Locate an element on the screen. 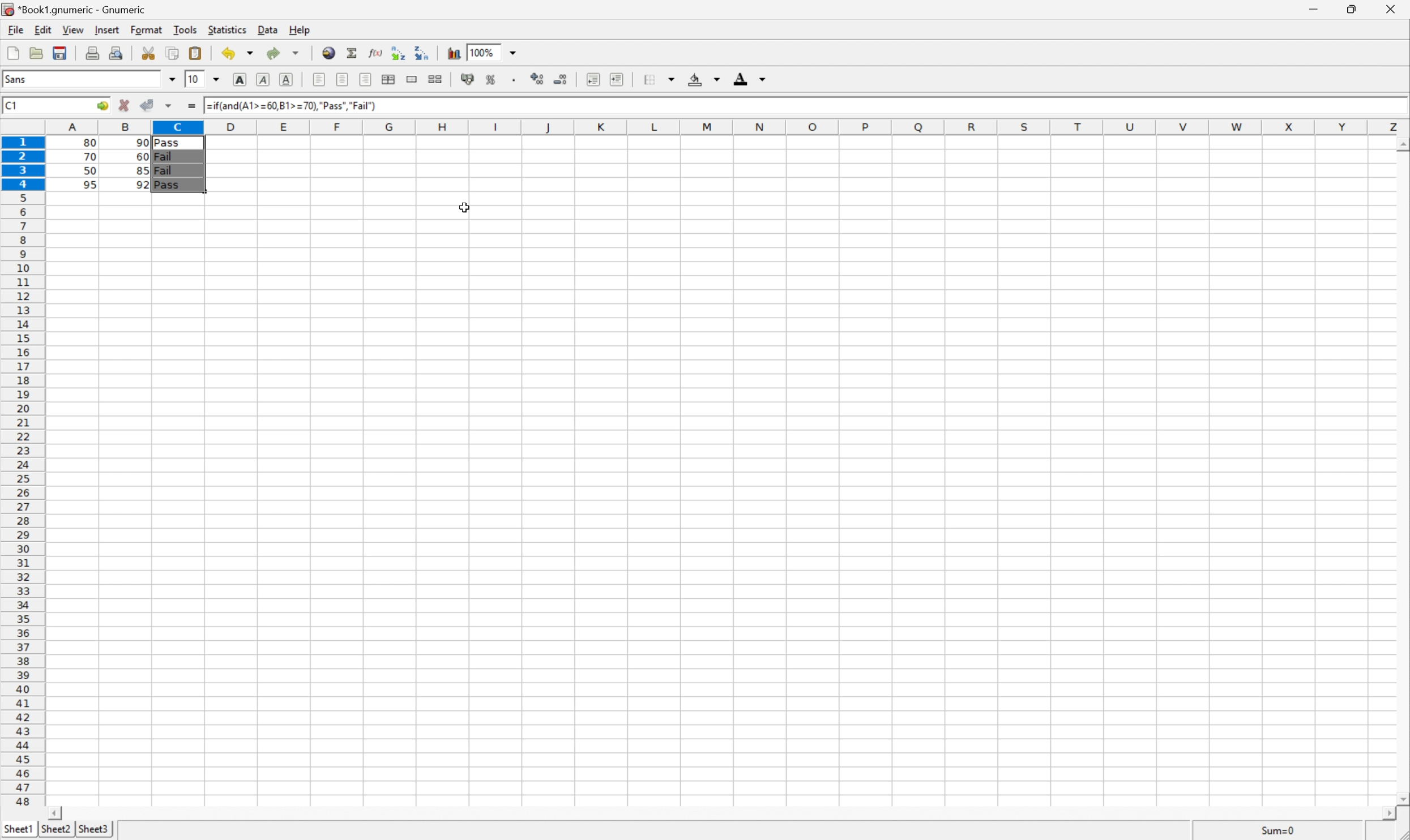  Cut the selection is located at coordinates (149, 52).